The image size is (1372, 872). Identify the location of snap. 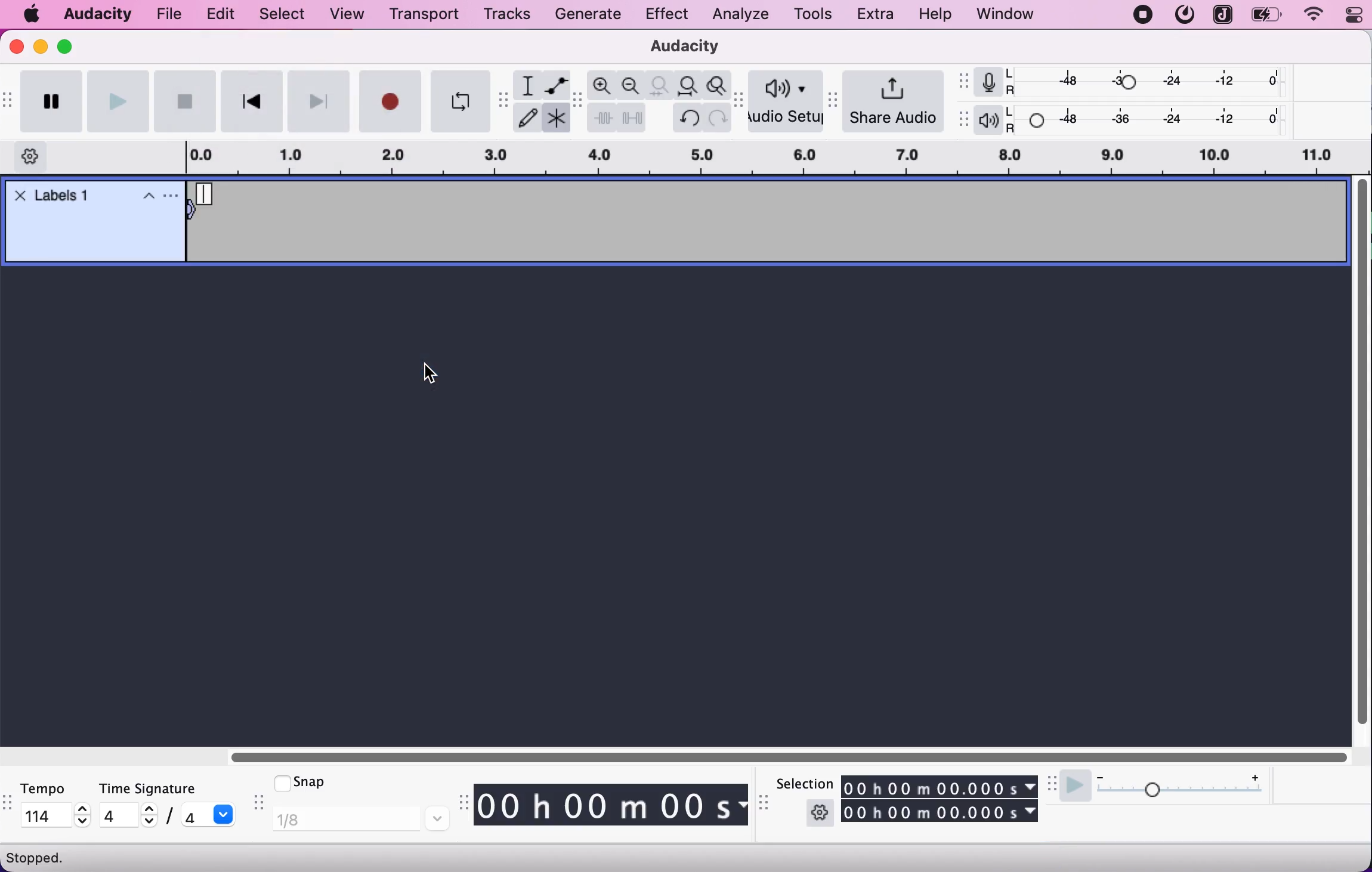
(324, 783).